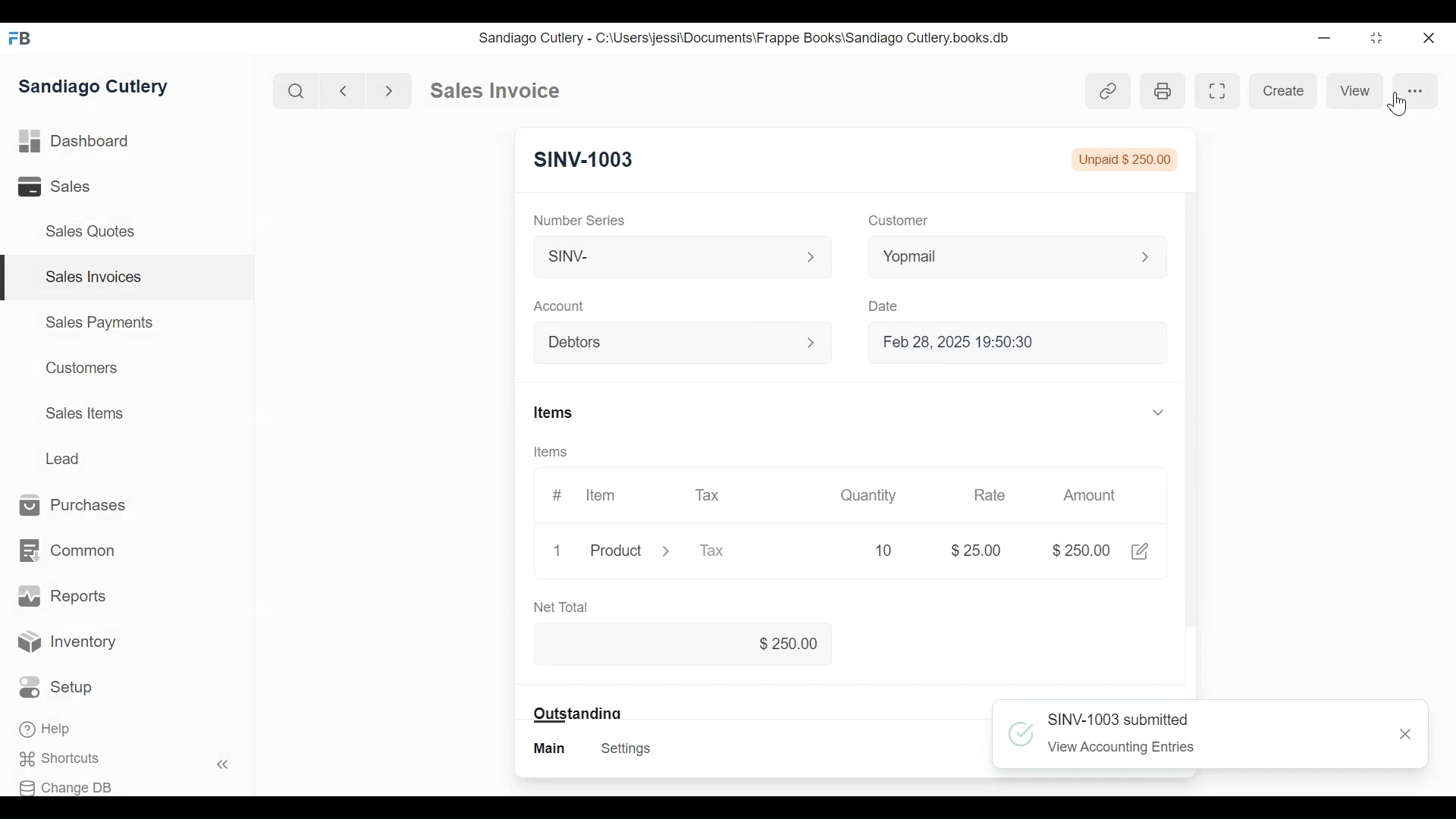 This screenshot has height=819, width=1456. Describe the element at coordinates (1191, 321) in the screenshot. I see `scrollbar` at that location.